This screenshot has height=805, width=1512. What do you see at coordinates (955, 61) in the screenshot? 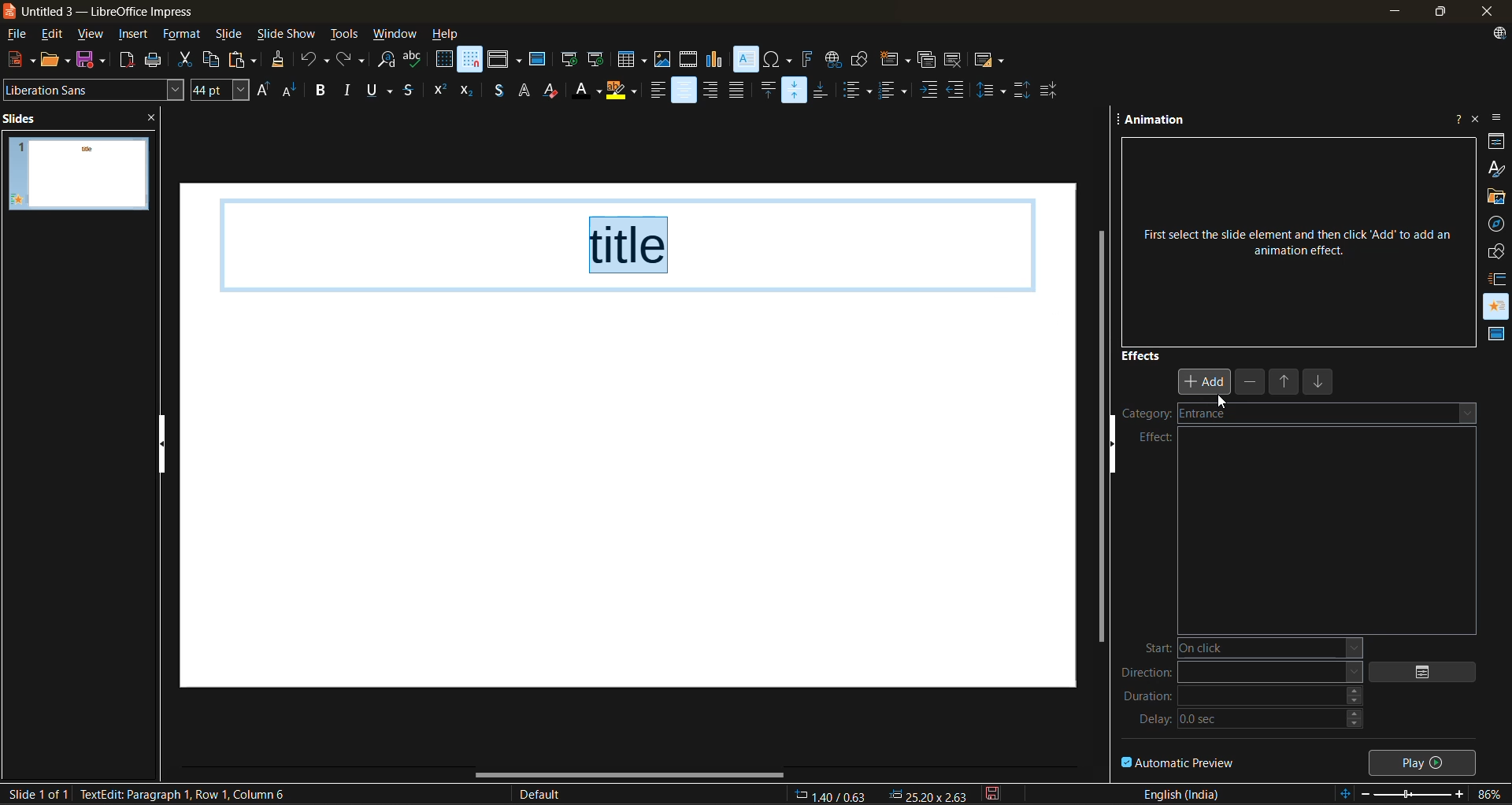
I see `delete slide` at bounding box center [955, 61].